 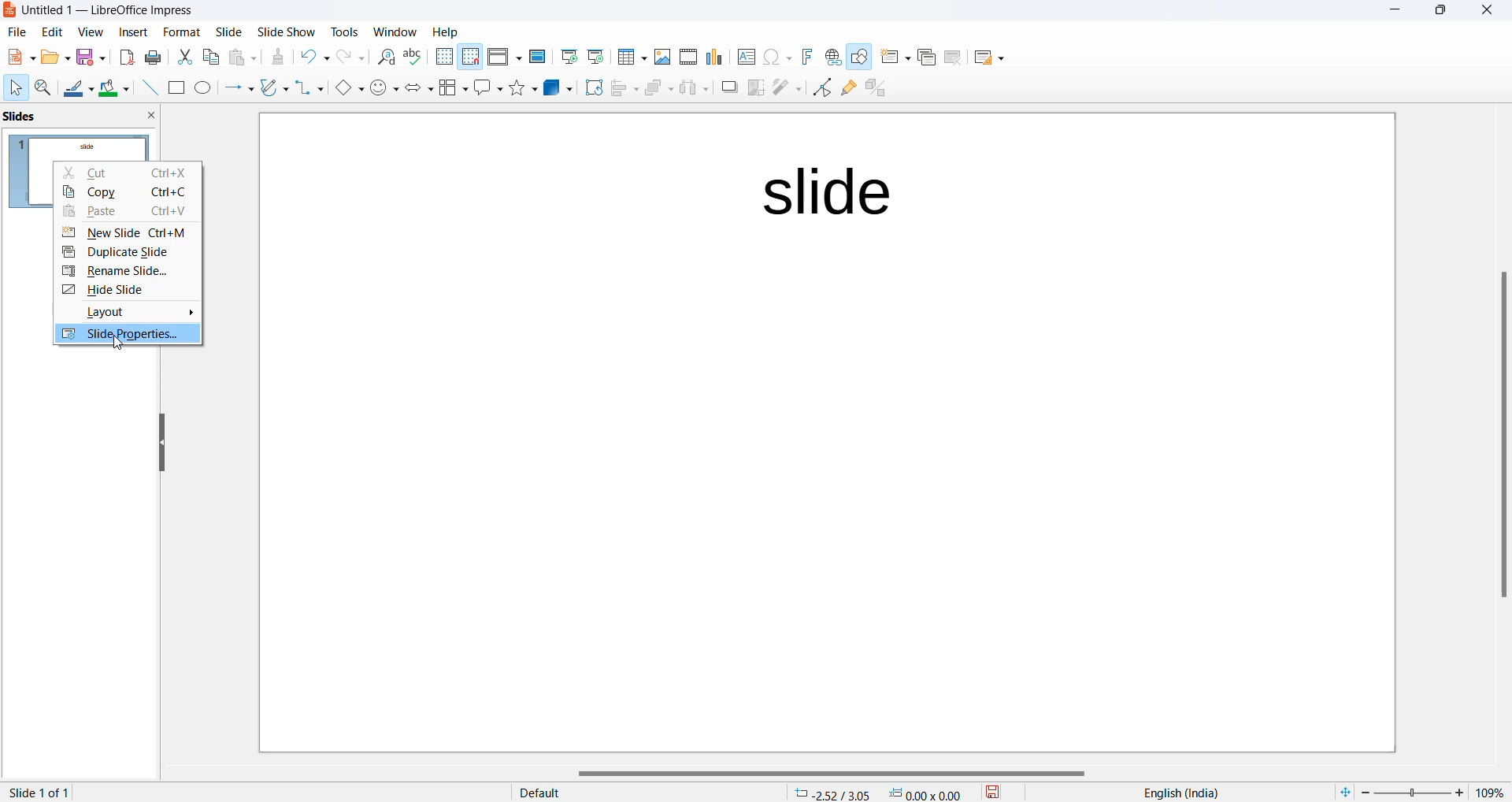 I want to click on text language, so click(x=1176, y=793).